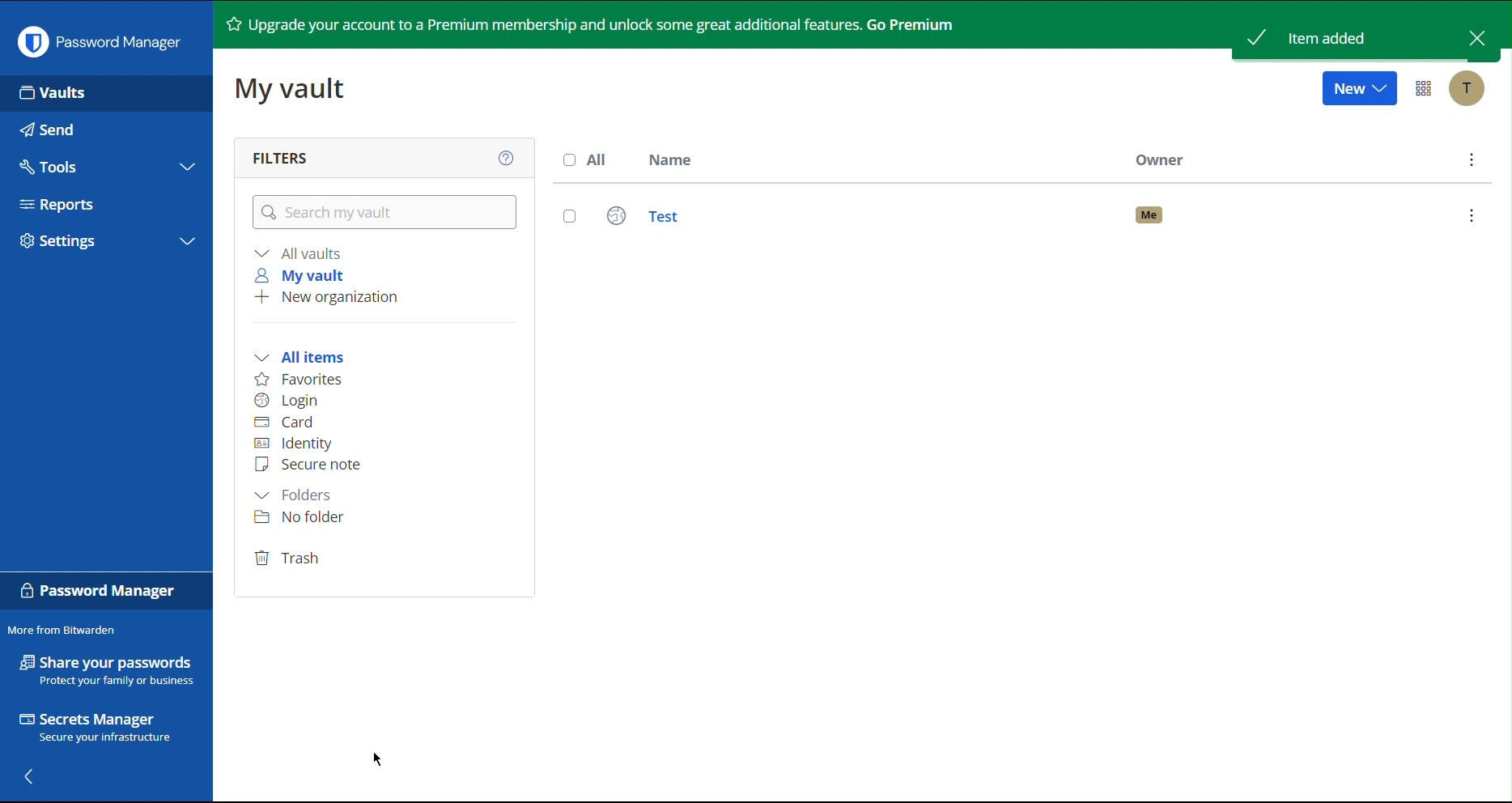 The width and height of the screenshot is (1512, 803). Describe the element at coordinates (101, 242) in the screenshot. I see `Settings` at that location.